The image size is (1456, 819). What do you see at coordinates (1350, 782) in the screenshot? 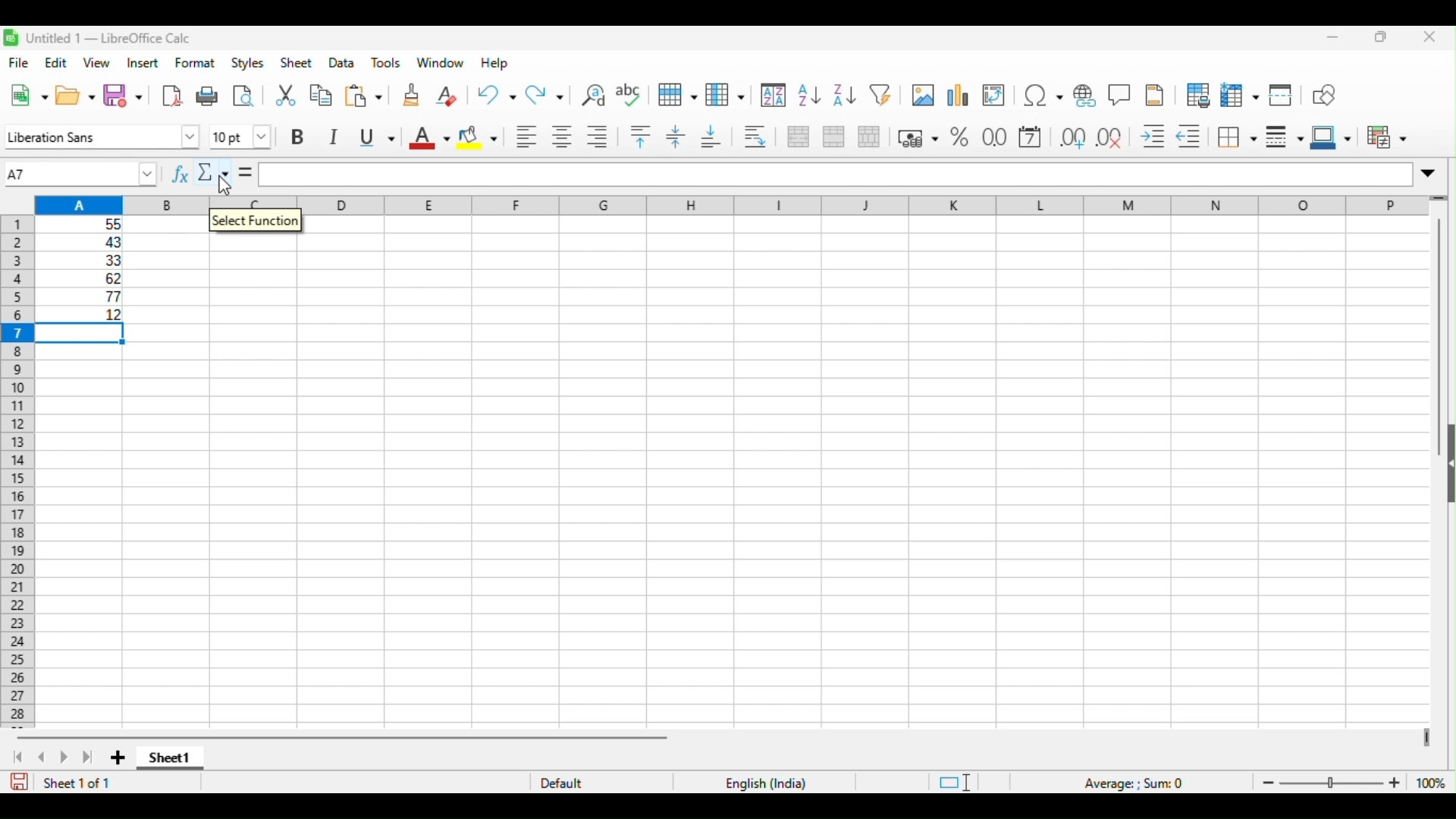
I see `zoom` at bounding box center [1350, 782].